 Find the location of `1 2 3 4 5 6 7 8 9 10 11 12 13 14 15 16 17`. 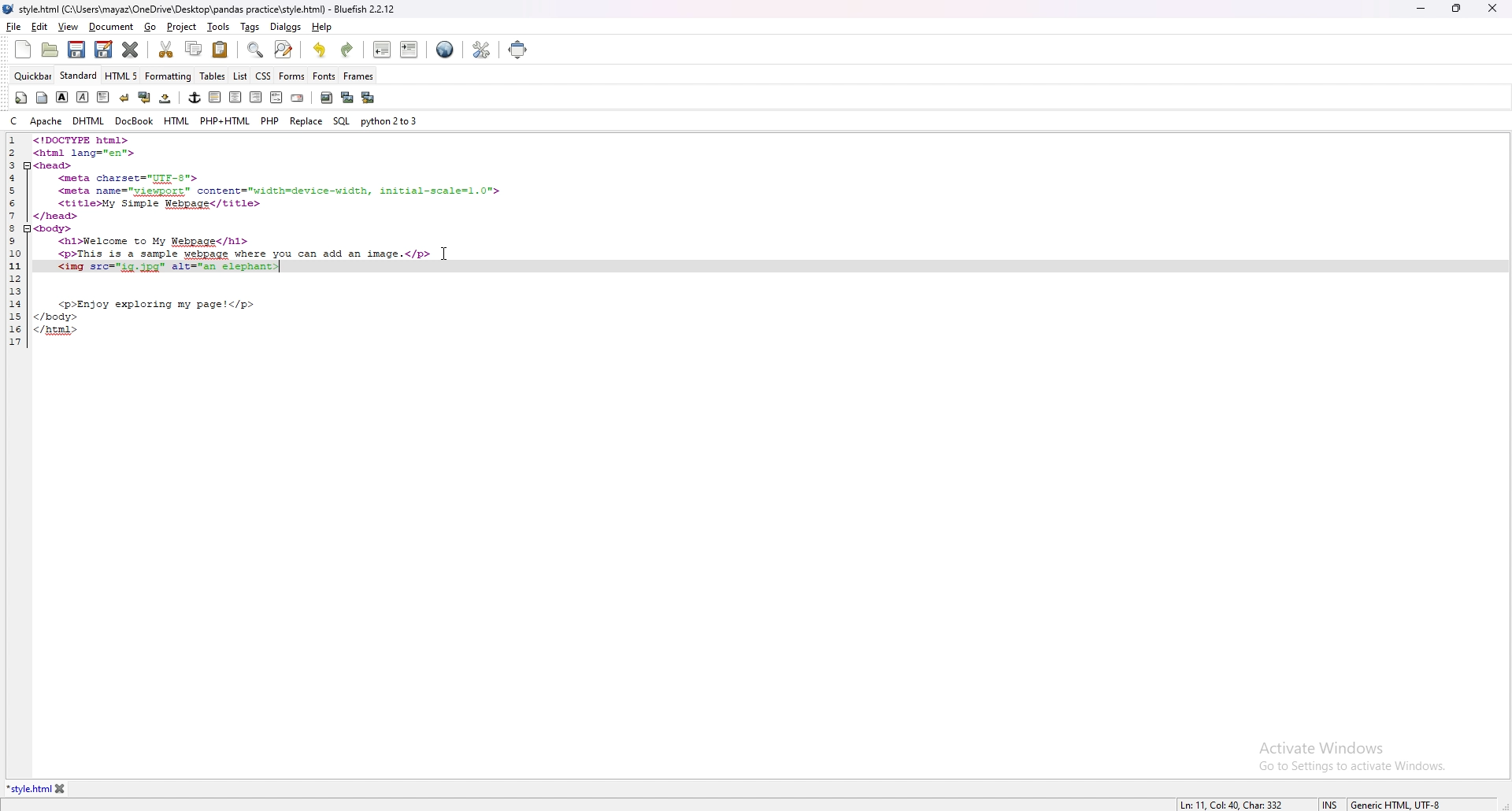

1 2 3 4 5 6 7 8 9 10 11 12 13 14 15 16 17 is located at coordinates (17, 242).